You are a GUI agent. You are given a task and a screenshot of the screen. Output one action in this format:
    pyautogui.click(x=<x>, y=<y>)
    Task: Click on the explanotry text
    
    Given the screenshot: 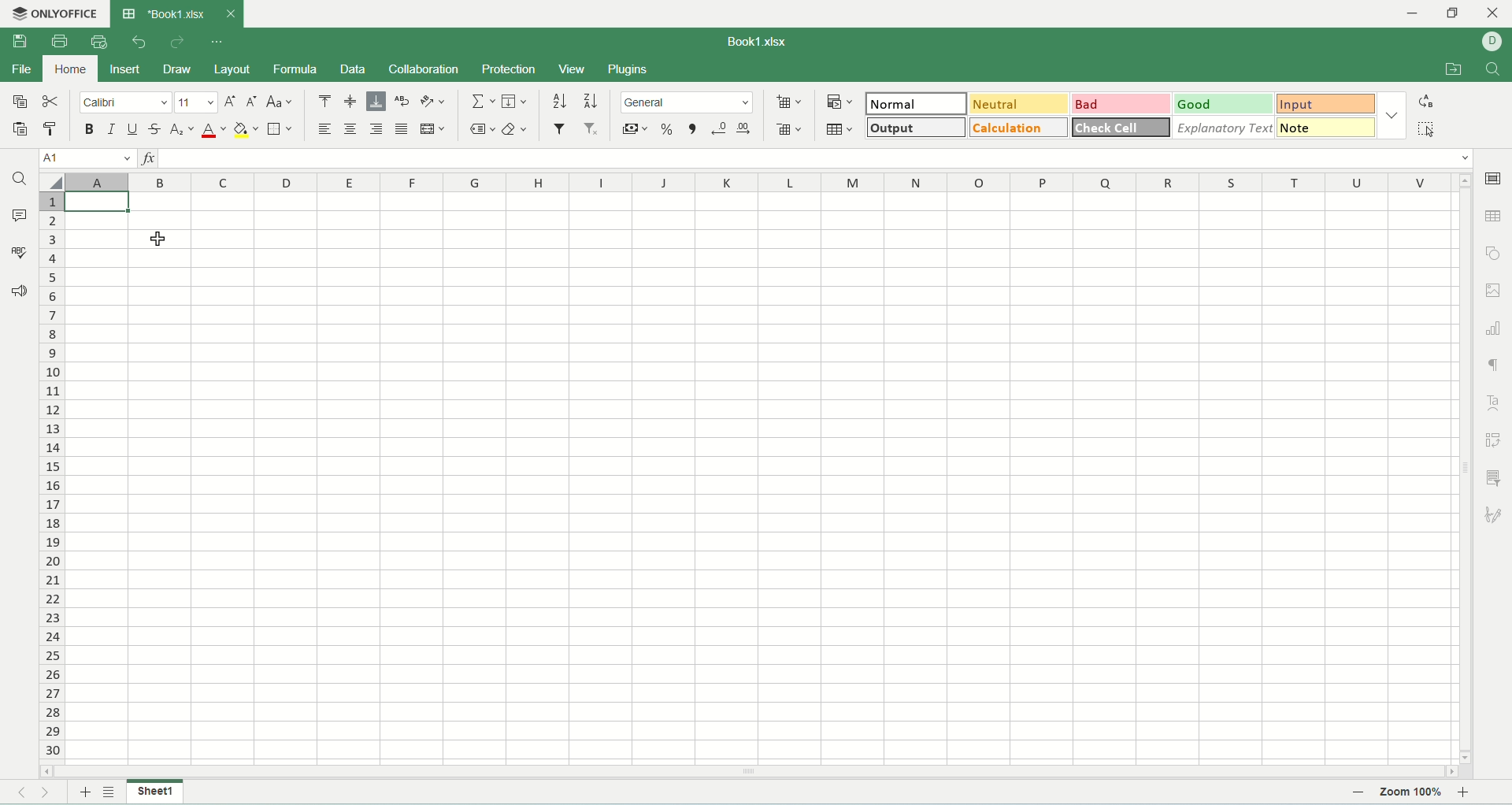 What is the action you would take?
    pyautogui.click(x=1225, y=128)
    